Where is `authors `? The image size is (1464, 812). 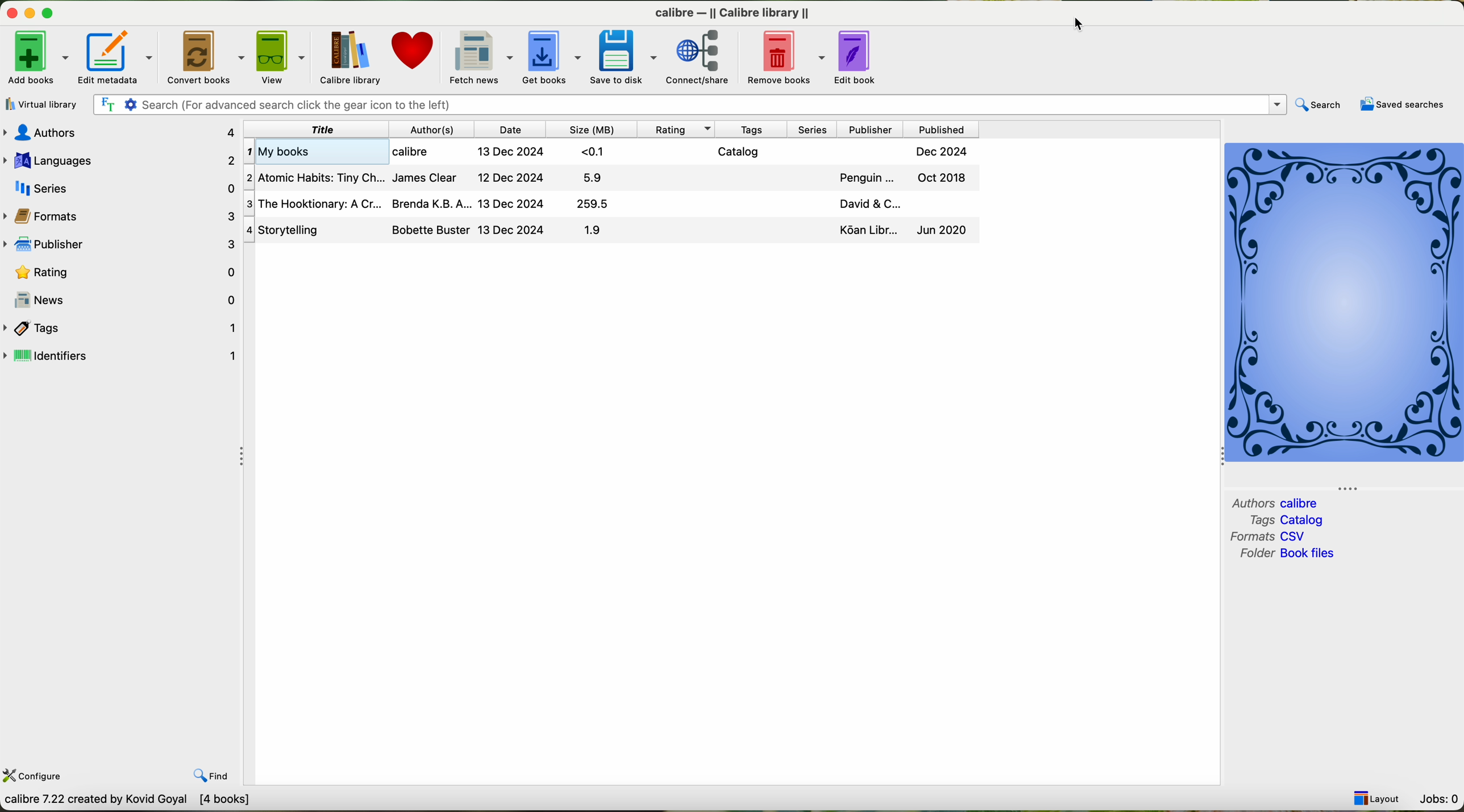
authors  is located at coordinates (1251, 503).